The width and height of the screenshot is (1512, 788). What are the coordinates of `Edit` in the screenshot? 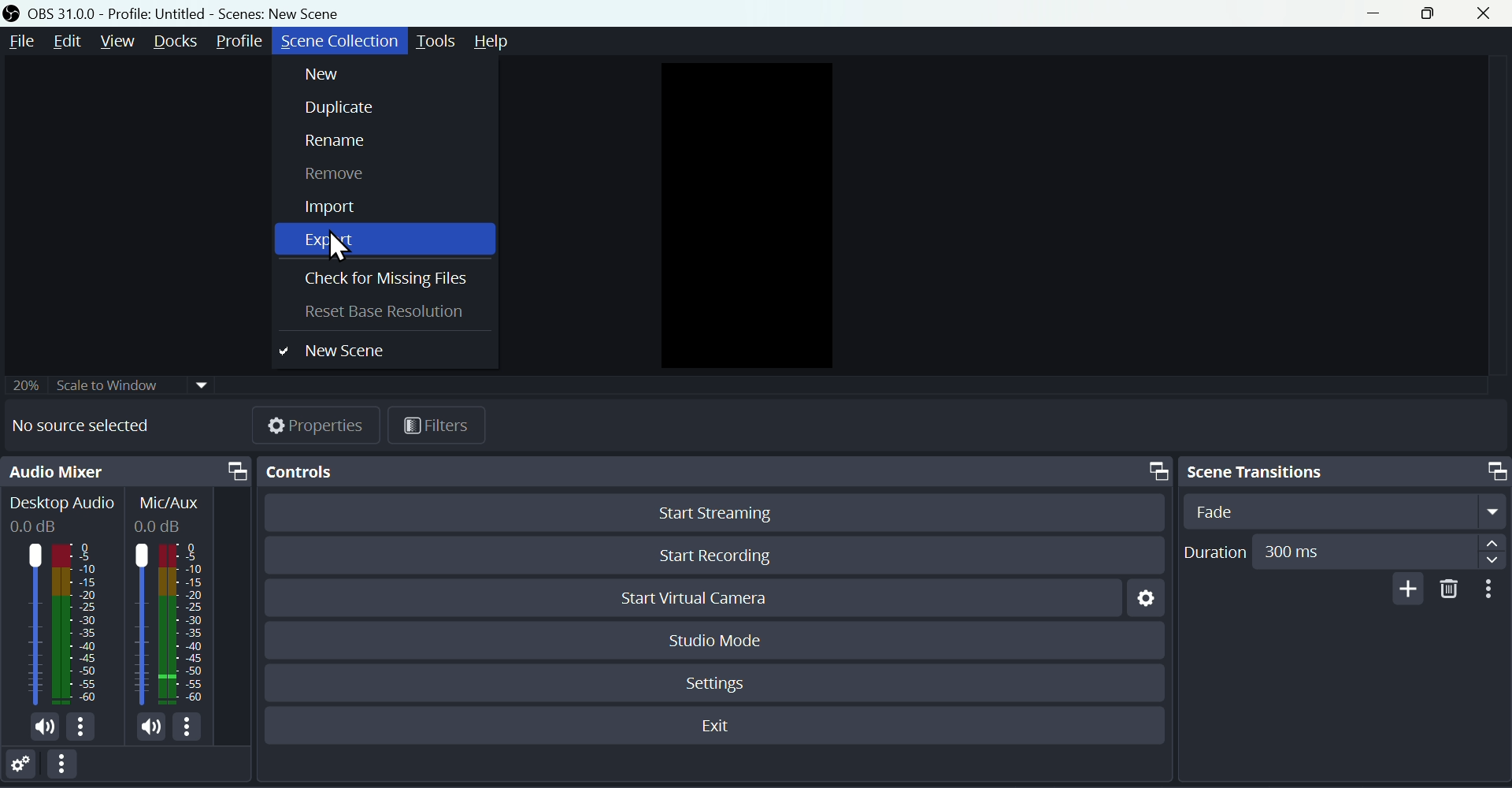 It's located at (65, 42).